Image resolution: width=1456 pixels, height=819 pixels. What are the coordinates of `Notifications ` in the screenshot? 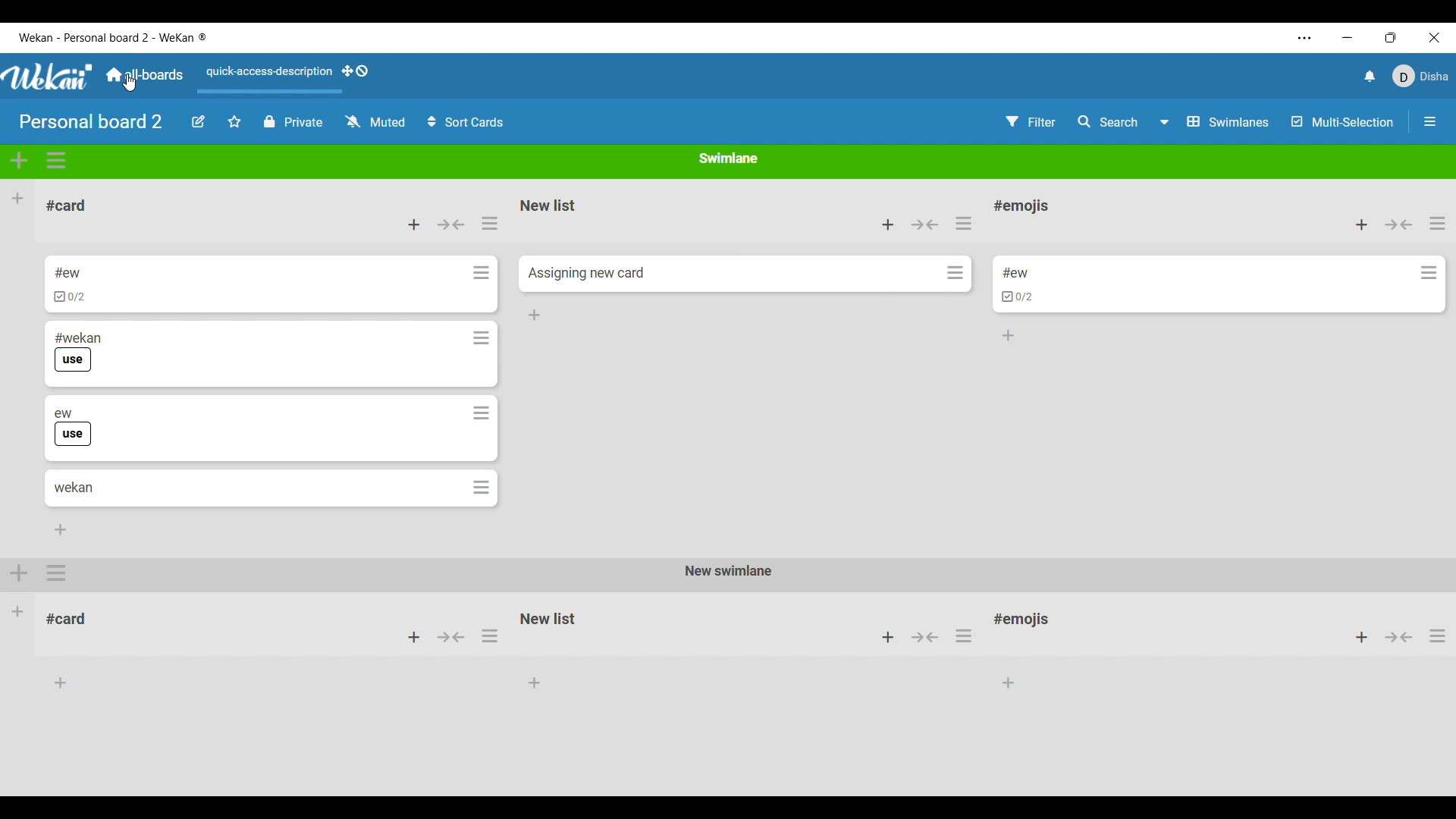 It's located at (1370, 76).